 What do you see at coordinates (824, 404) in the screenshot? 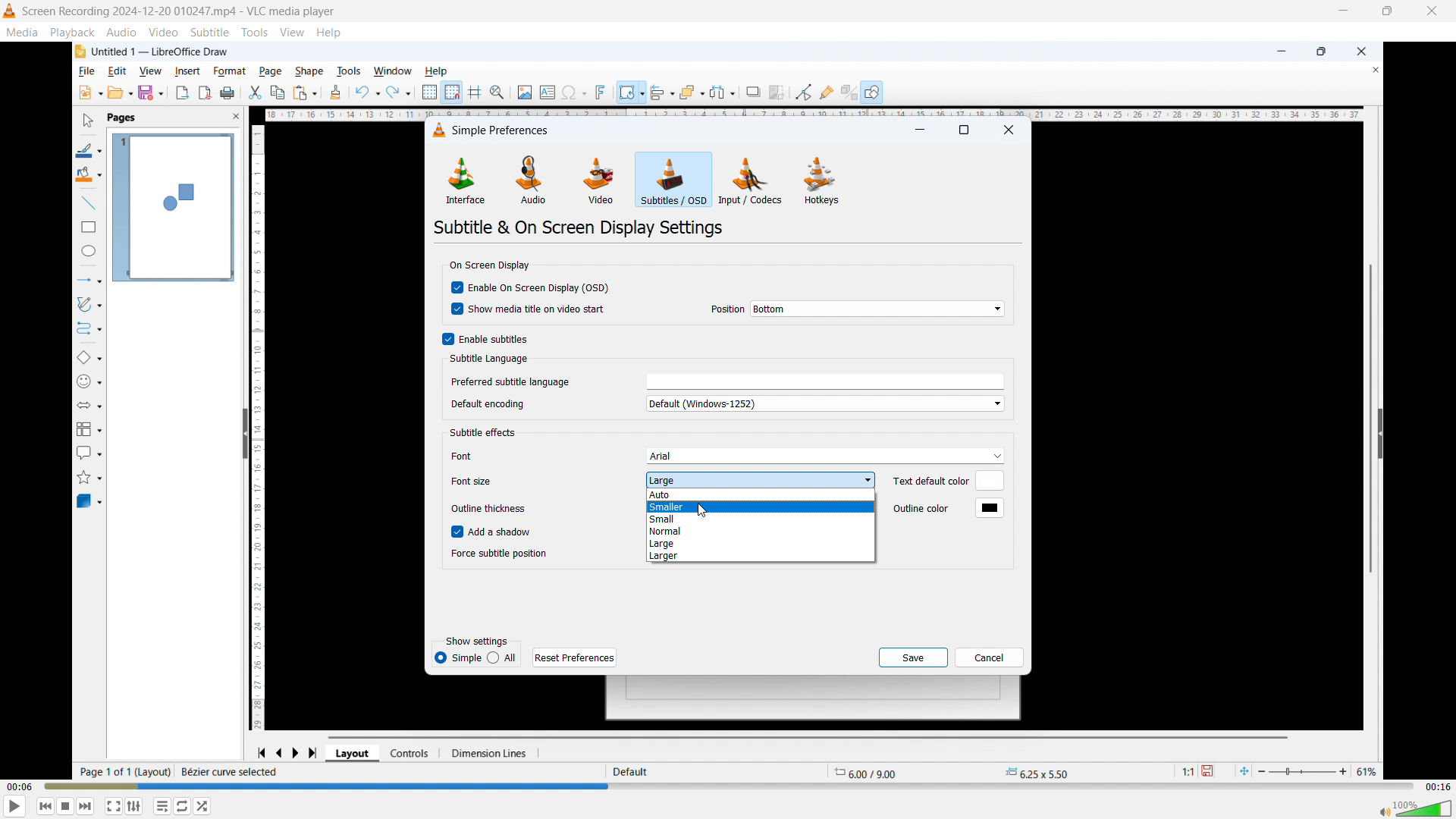
I see `Default encoding` at bounding box center [824, 404].